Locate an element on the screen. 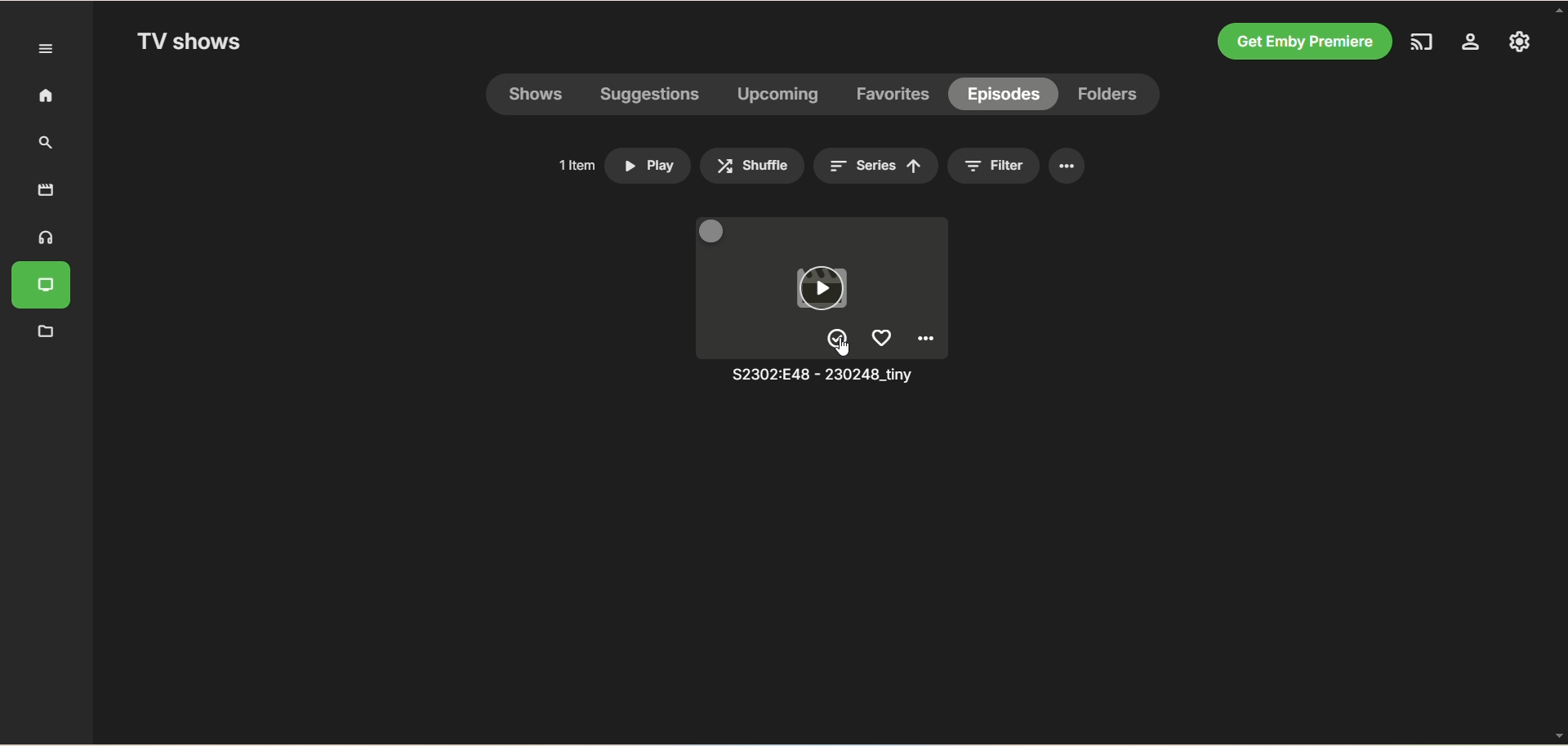 Image resolution: width=1568 pixels, height=746 pixels. filter is located at coordinates (1013, 167).